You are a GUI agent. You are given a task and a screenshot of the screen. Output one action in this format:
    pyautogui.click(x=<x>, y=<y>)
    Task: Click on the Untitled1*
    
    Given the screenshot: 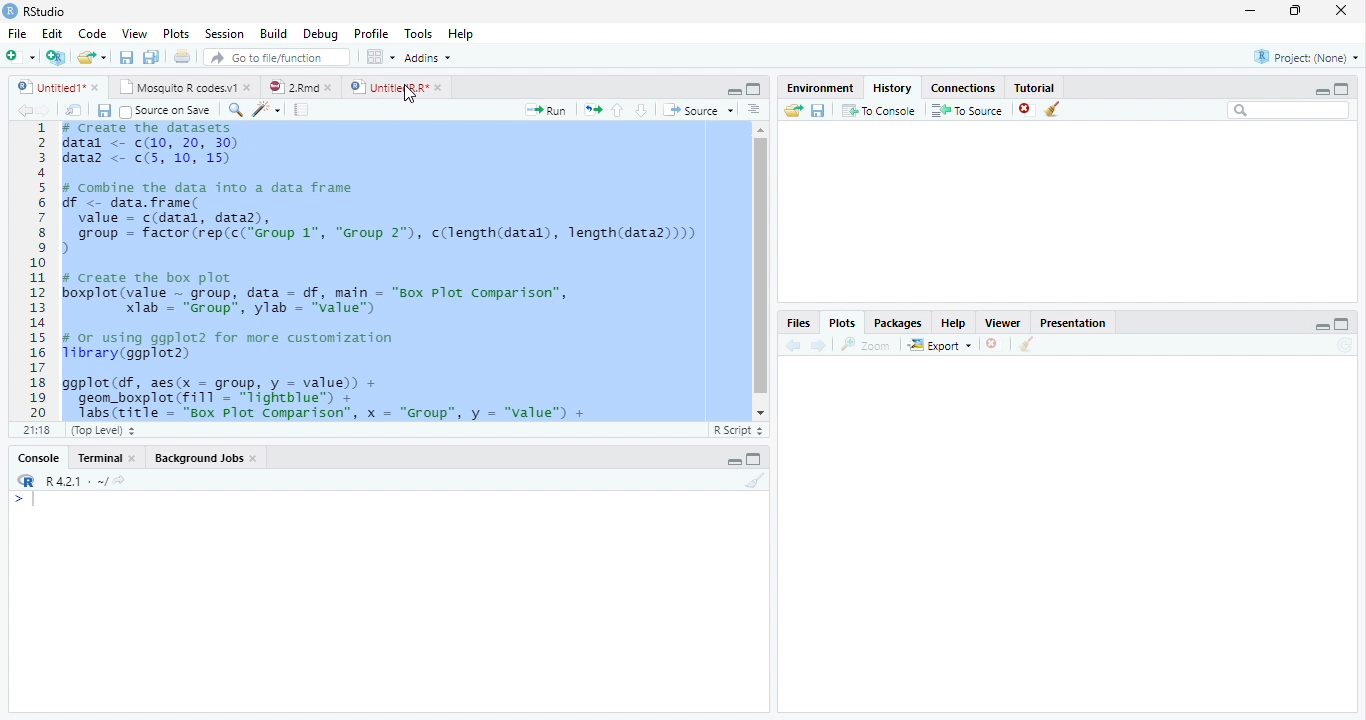 What is the action you would take?
    pyautogui.click(x=49, y=87)
    